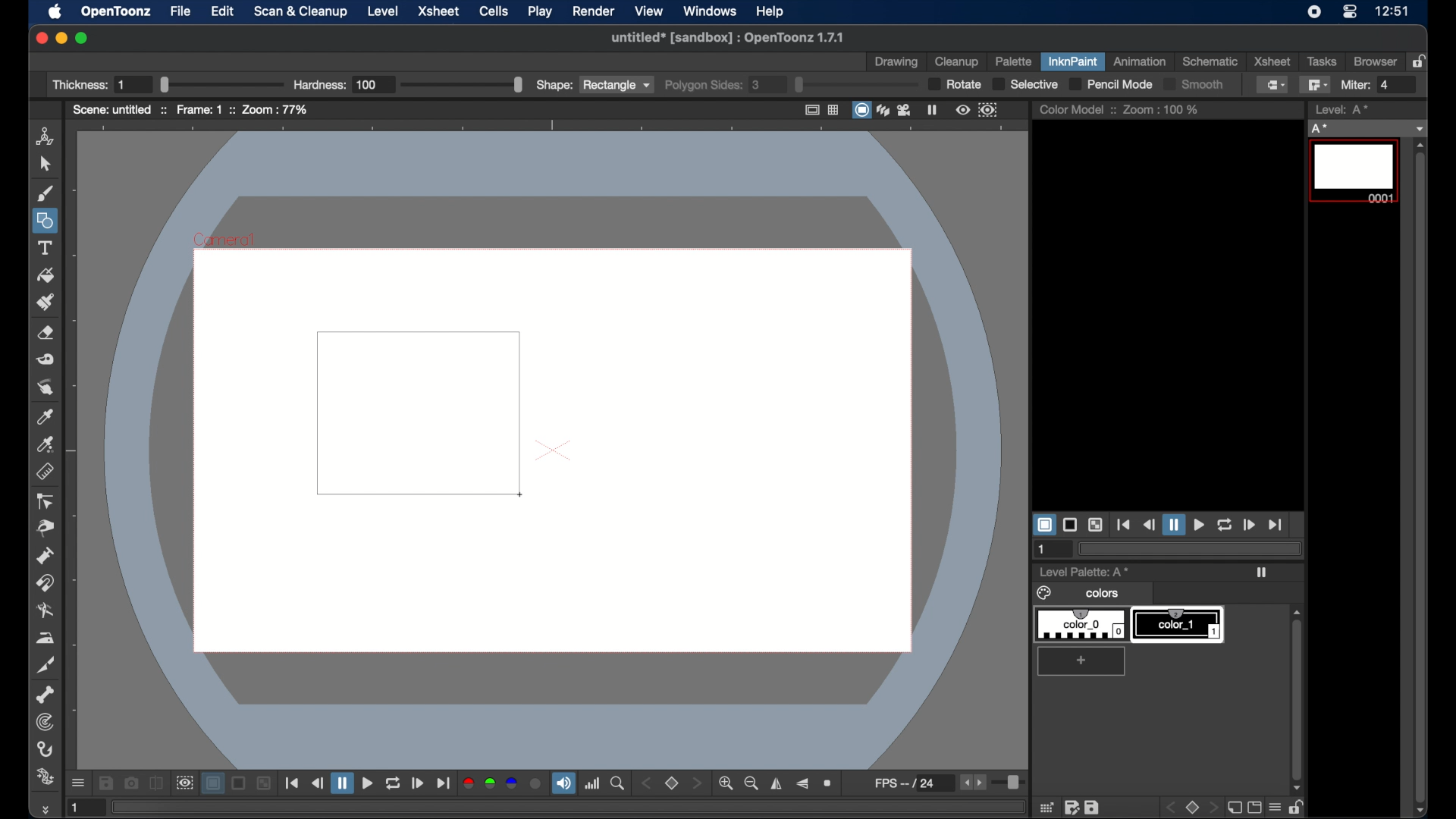 This screenshot has height=819, width=1456. What do you see at coordinates (1425, 811) in the screenshot?
I see `scroll down arrow` at bounding box center [1425, 811].